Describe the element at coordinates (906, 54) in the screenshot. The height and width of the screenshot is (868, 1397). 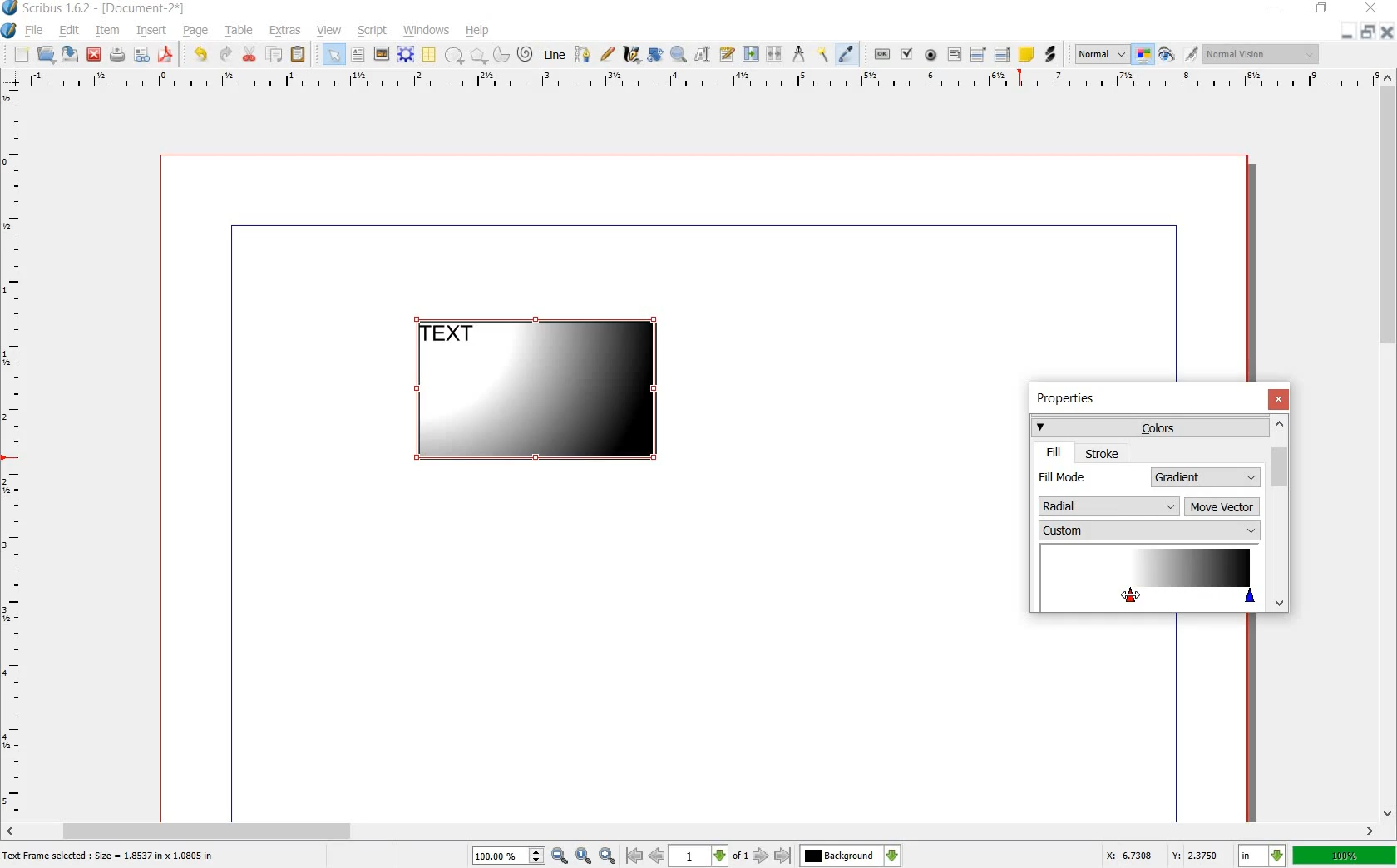
I see `pdf check box` at that location.